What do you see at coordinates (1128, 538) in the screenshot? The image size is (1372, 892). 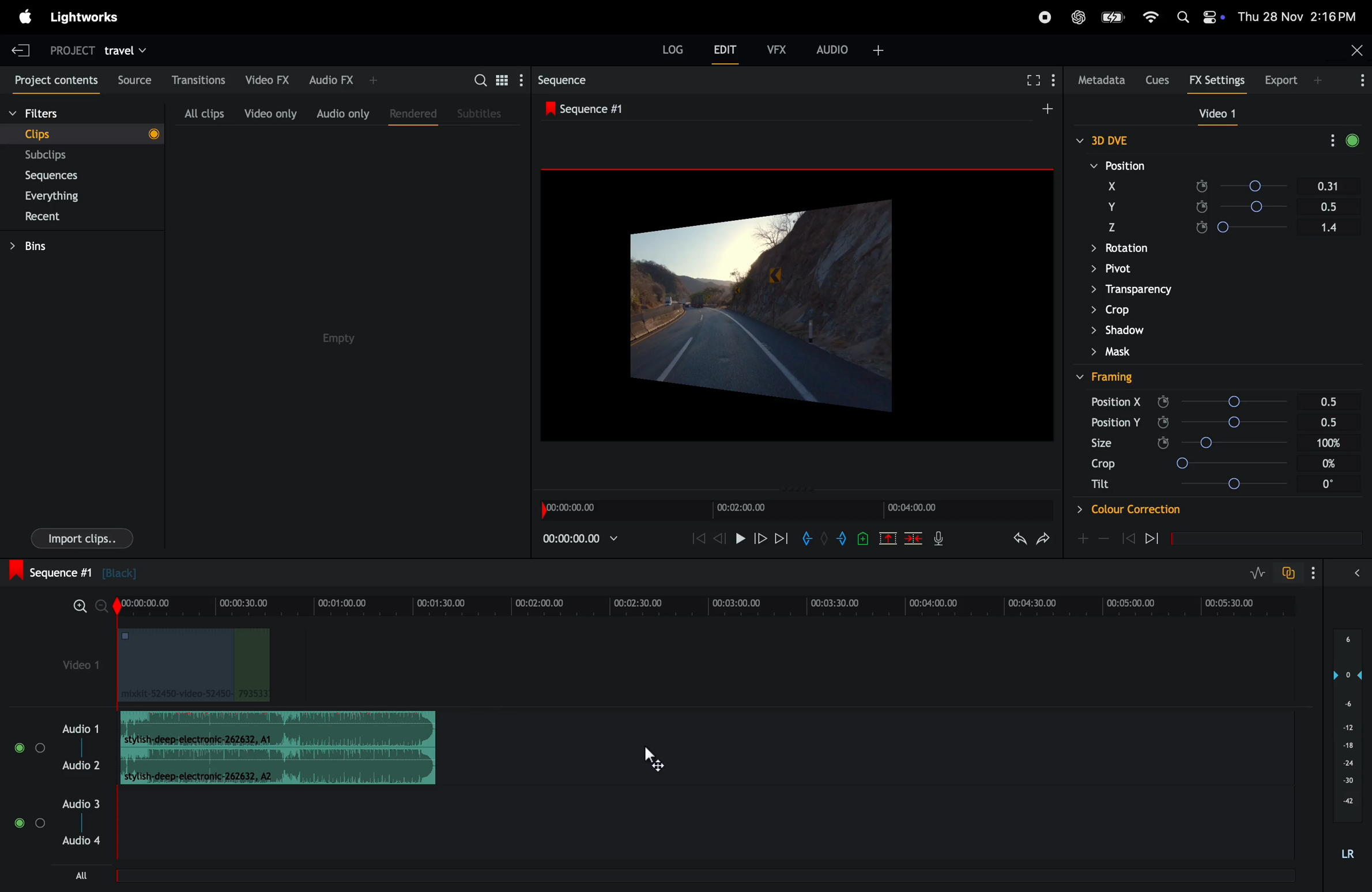 I see `jump to previous key frame` at bounding box center [1128, 538].